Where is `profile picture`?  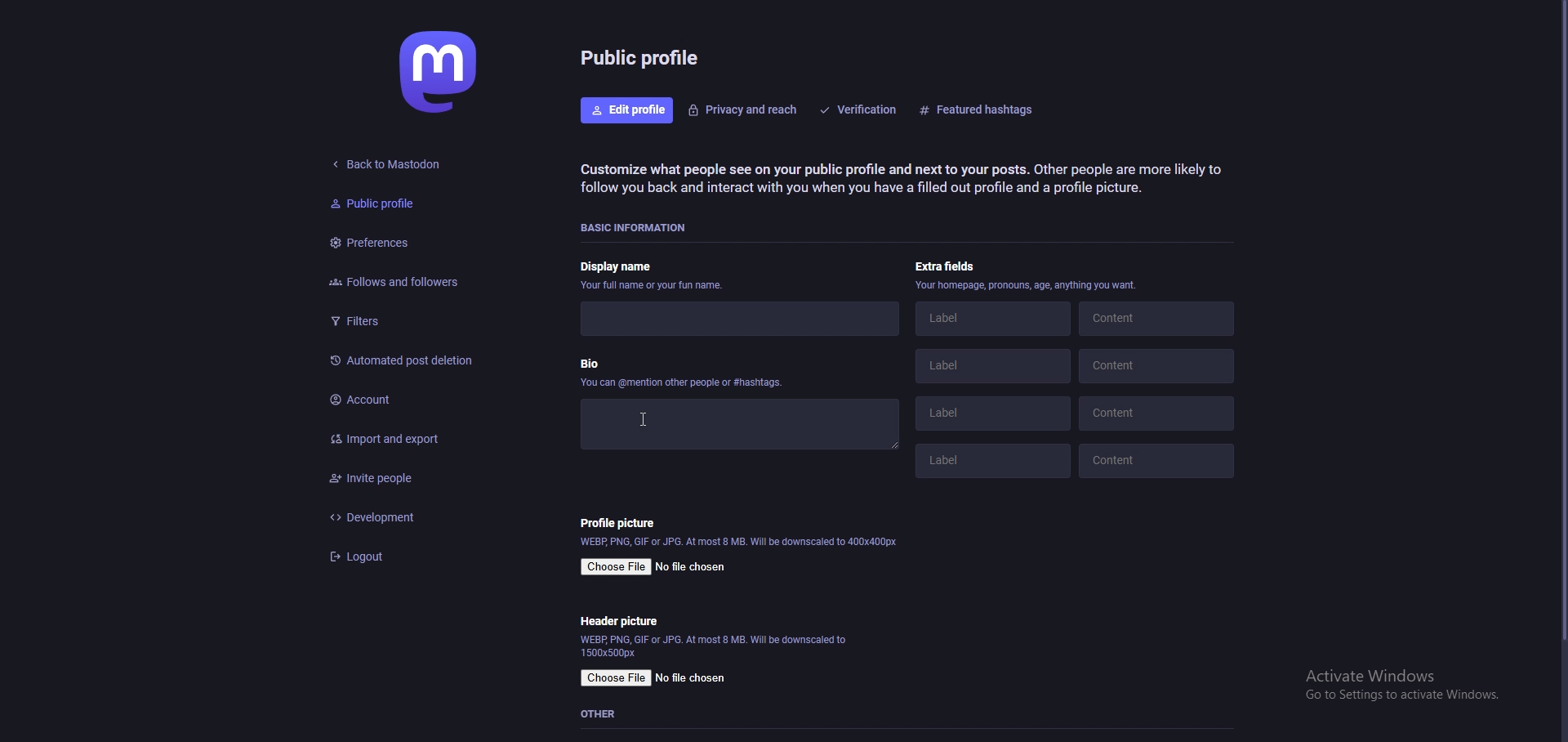 profile picture is located at coordinates (618, 522).